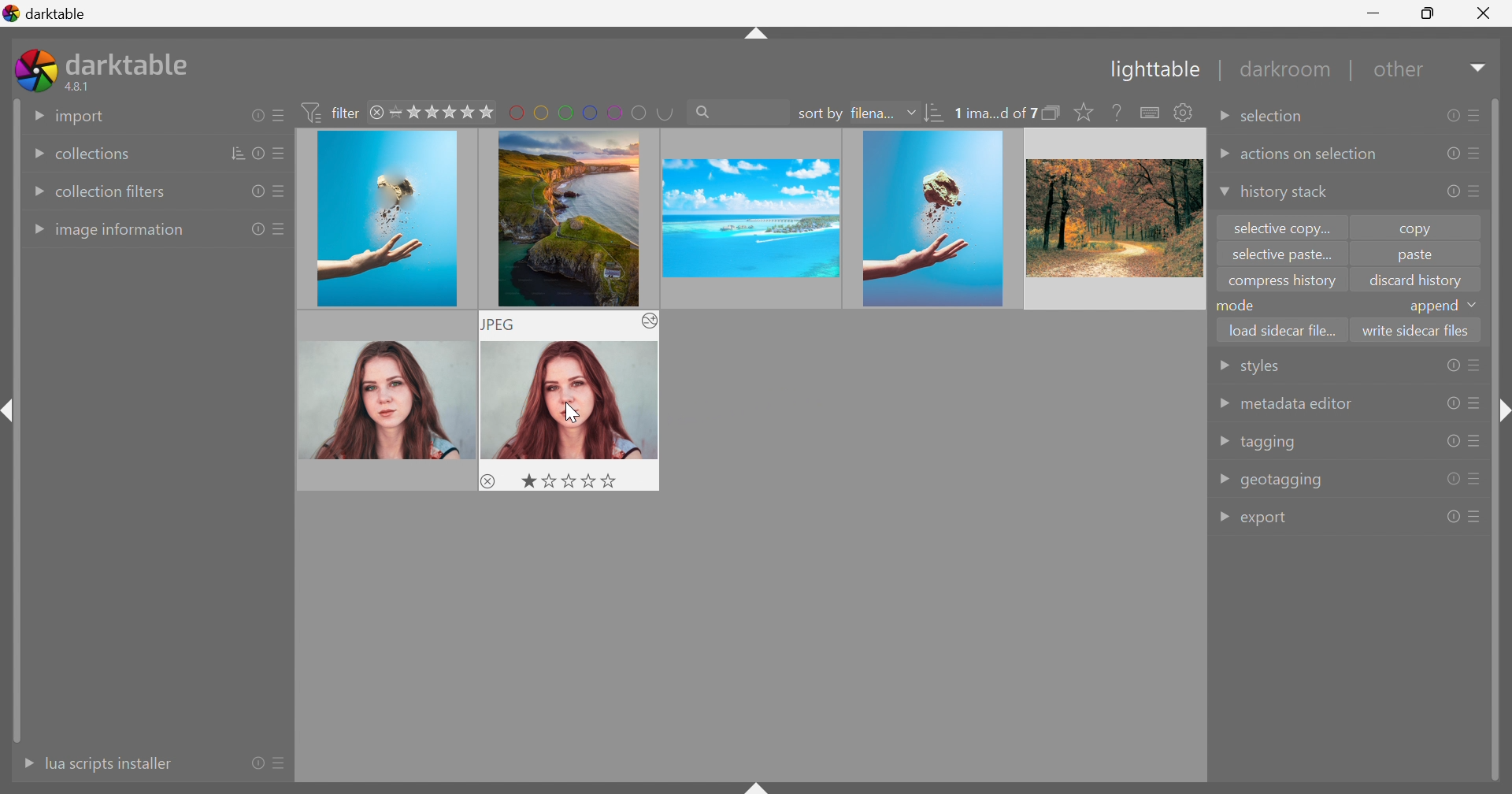 This screenshot has height=794, width=1512. I want to click on reset, so click(258, 762).